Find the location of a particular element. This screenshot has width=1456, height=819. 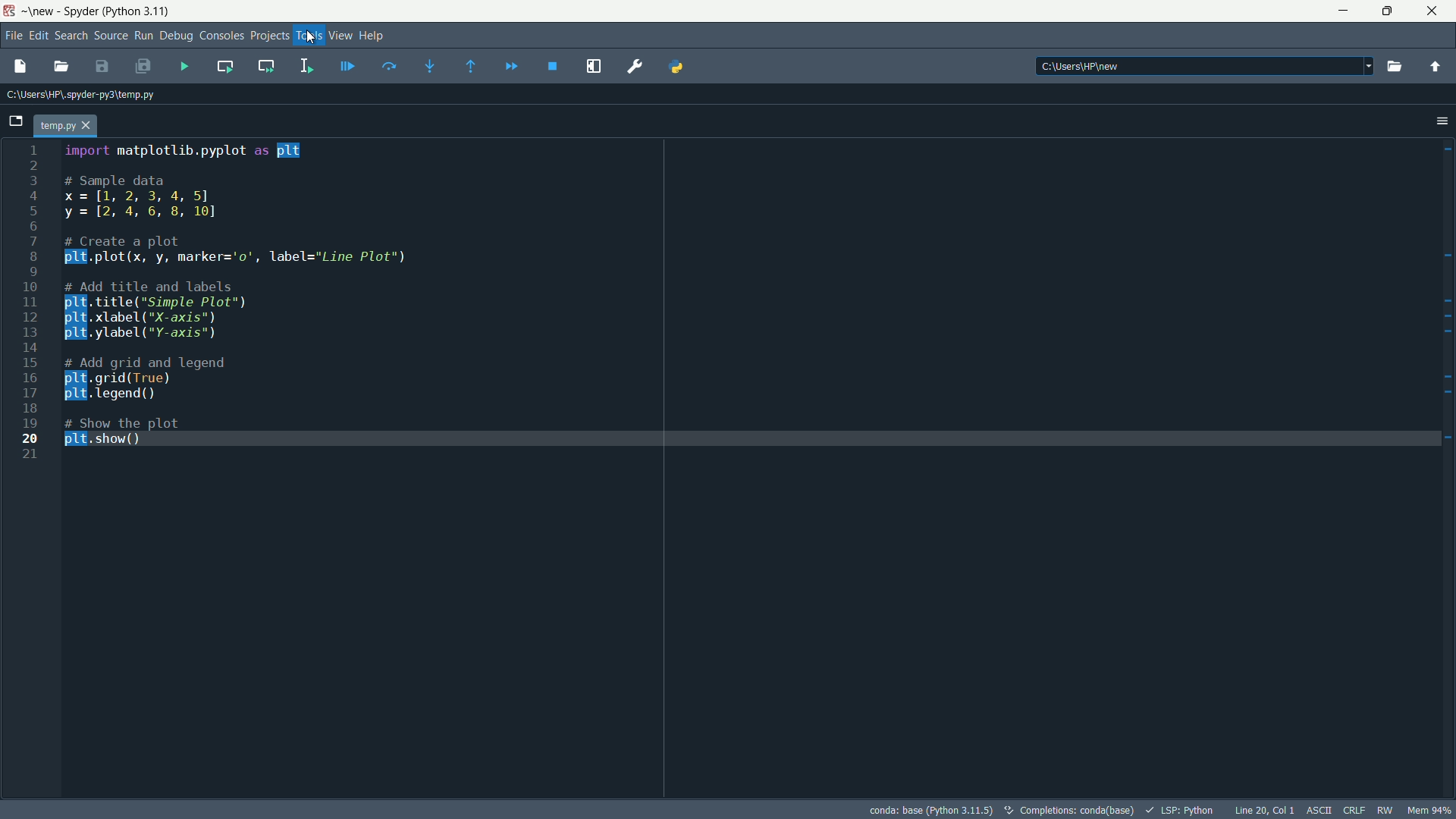

debug is located at coordinates (177, 35).